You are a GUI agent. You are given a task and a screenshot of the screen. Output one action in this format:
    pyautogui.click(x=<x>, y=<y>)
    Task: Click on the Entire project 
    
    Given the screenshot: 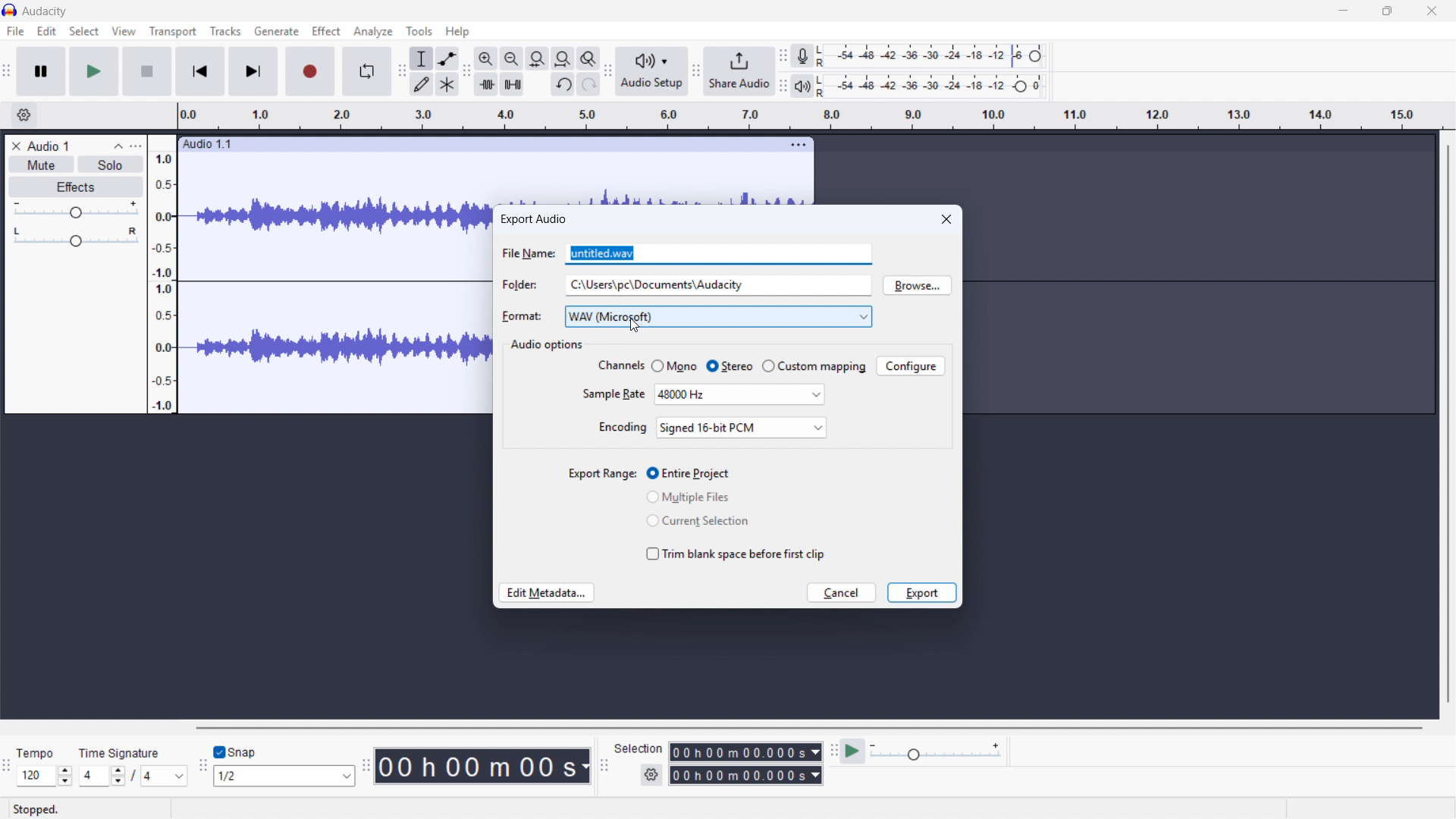 What is the action you would take?
    pyautogui.click(x=689, y=472)
    